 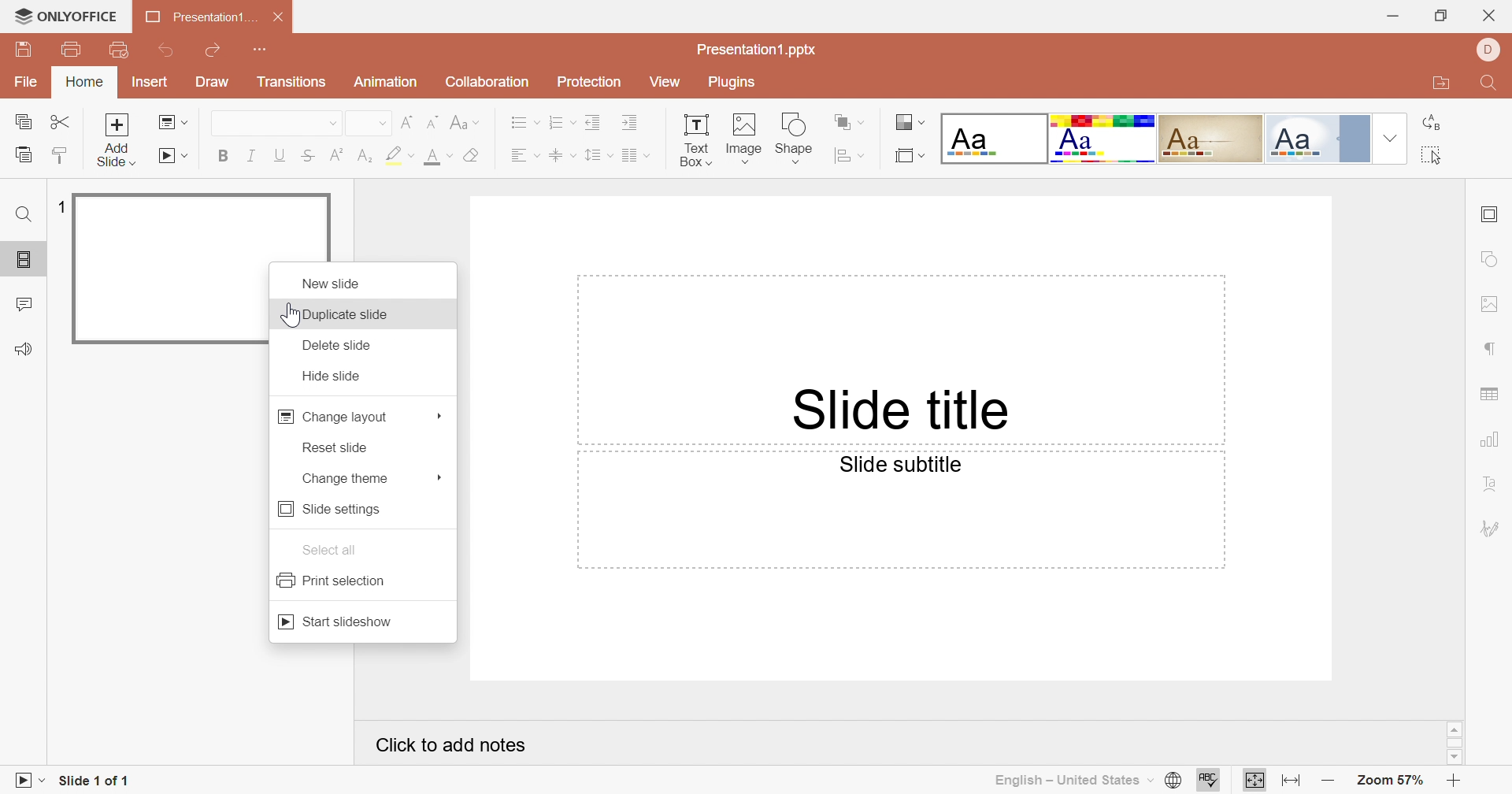 What do you see at coordinates (156, 82) in the screenshot?
I see `Insert` at bounding box center [156, 82].